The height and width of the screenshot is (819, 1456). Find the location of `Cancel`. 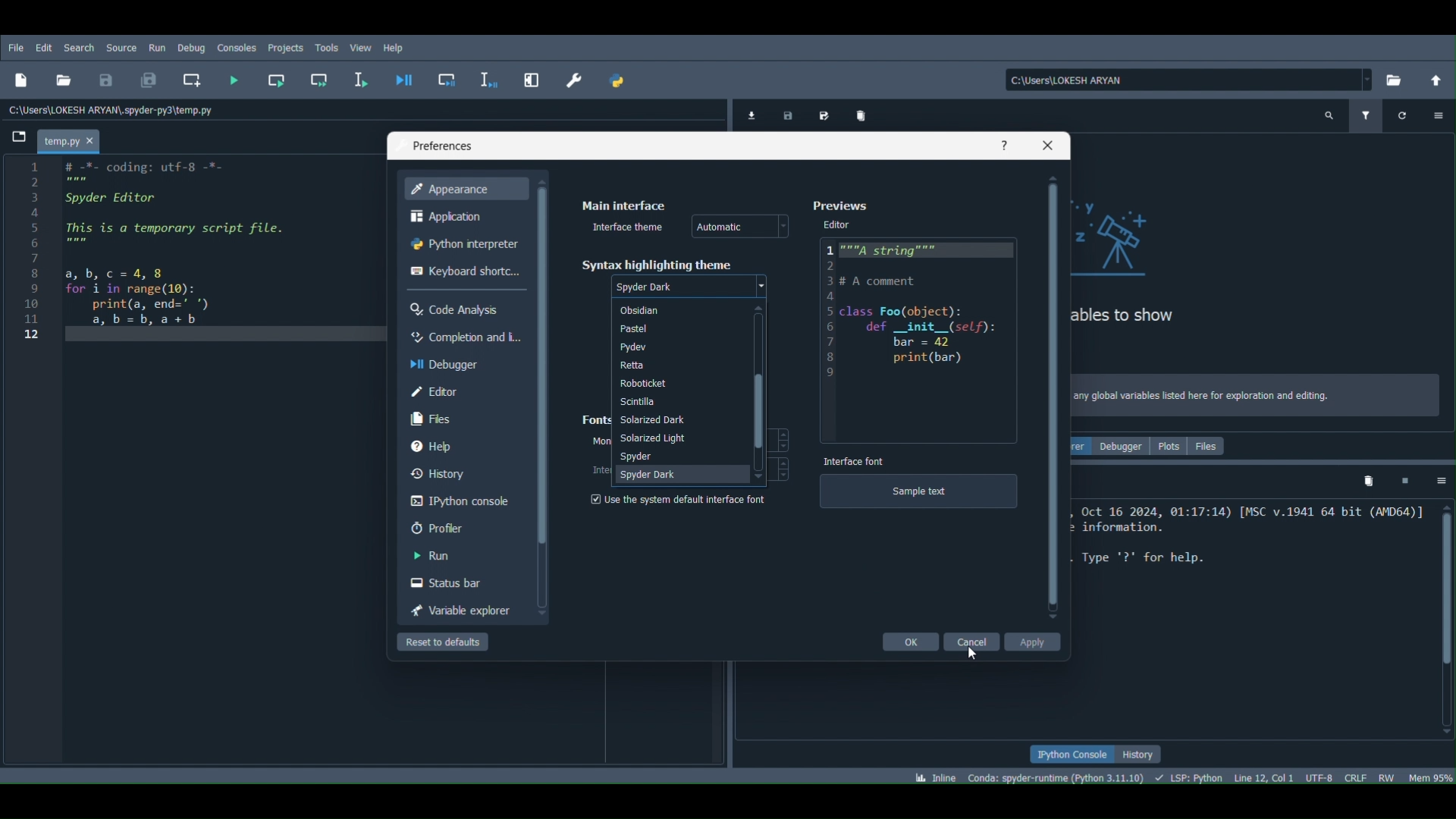

Cancel is located at coordinates (974, 641).